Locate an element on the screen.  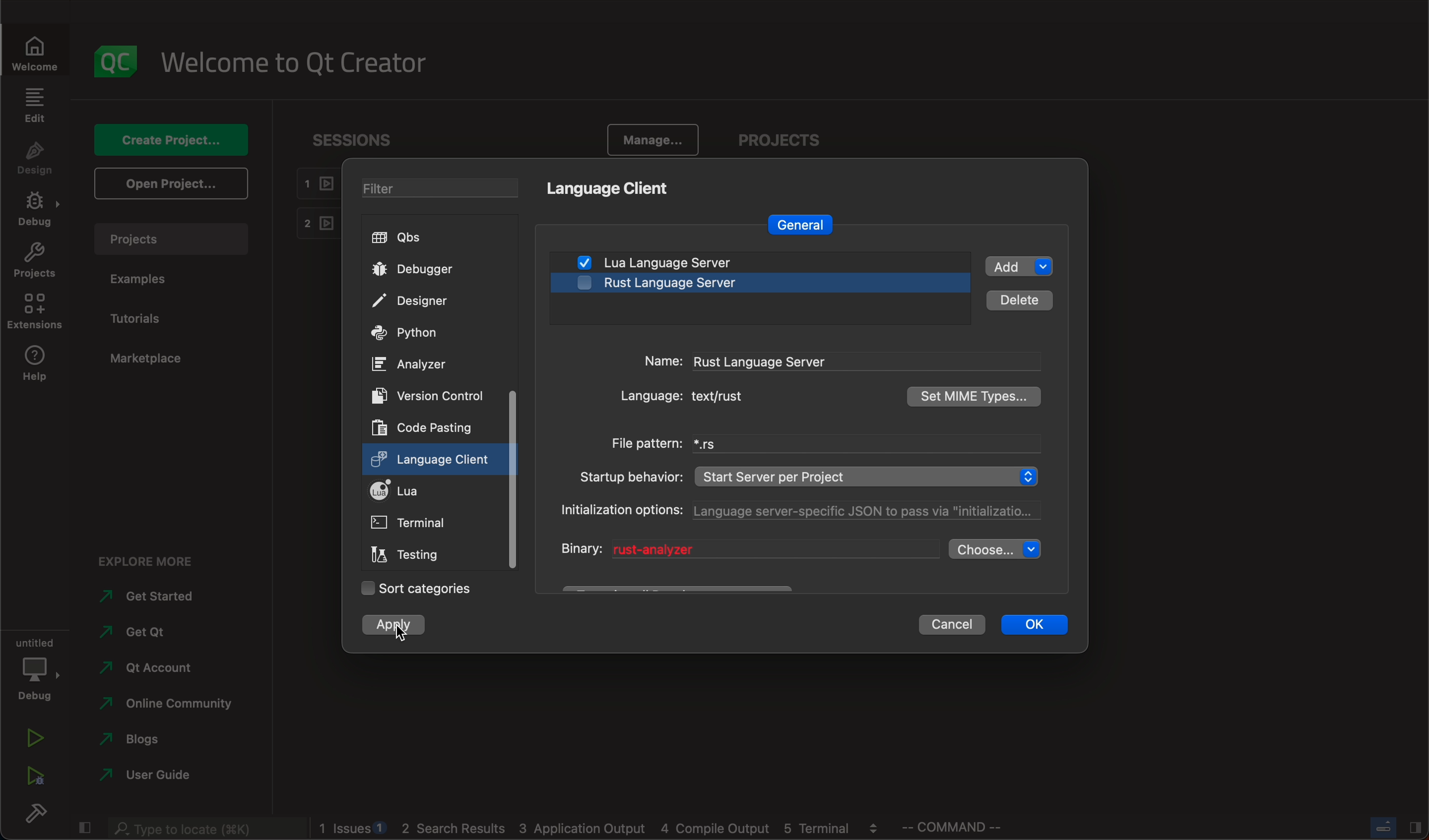
scroll bar is located at coordinates (517, 481).